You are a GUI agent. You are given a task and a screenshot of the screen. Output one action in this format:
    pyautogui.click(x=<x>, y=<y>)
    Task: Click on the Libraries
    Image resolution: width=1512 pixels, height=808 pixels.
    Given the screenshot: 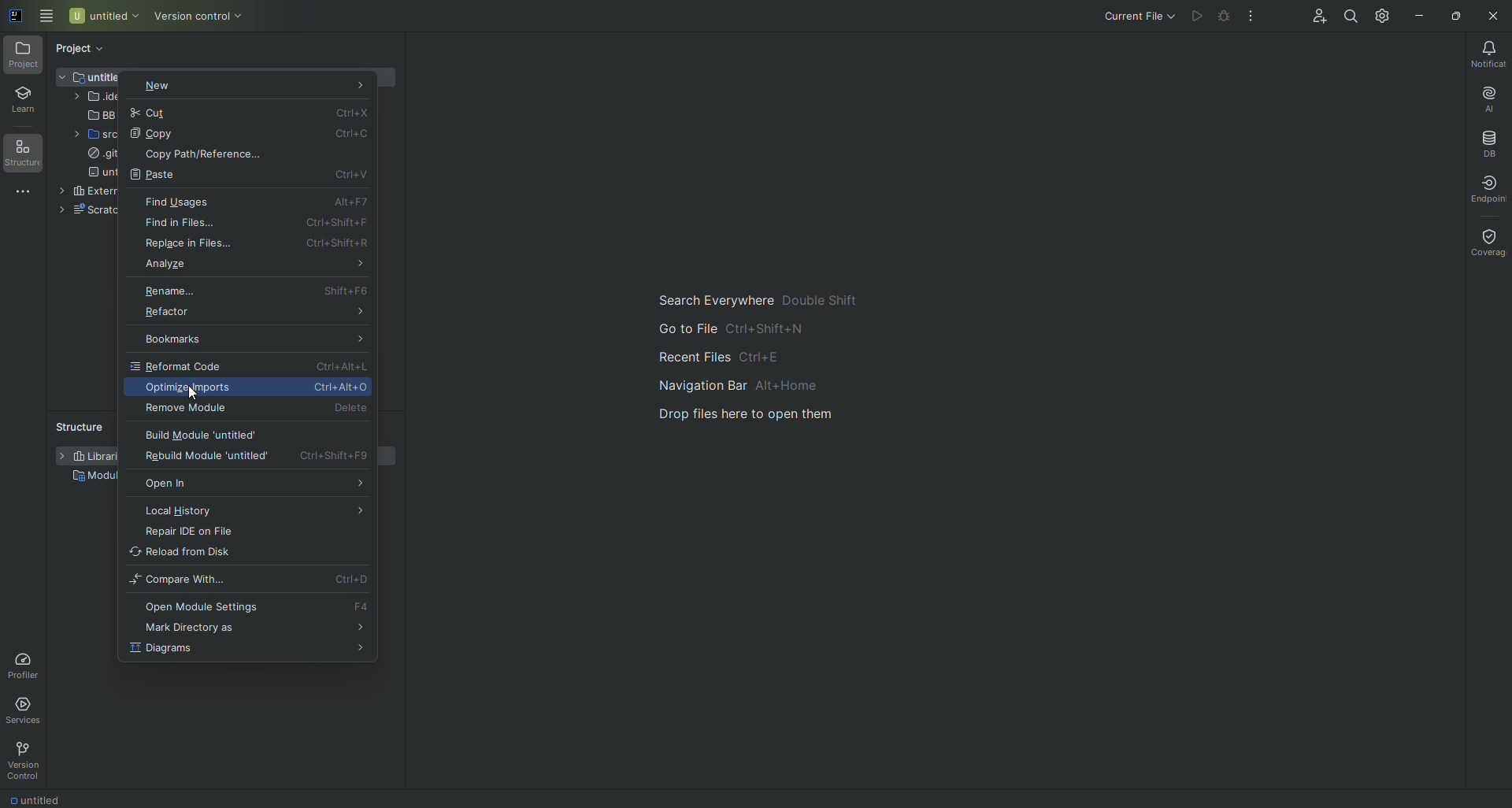 What is the action you would take?
    pyautogui.click(x=88, y=457)
    